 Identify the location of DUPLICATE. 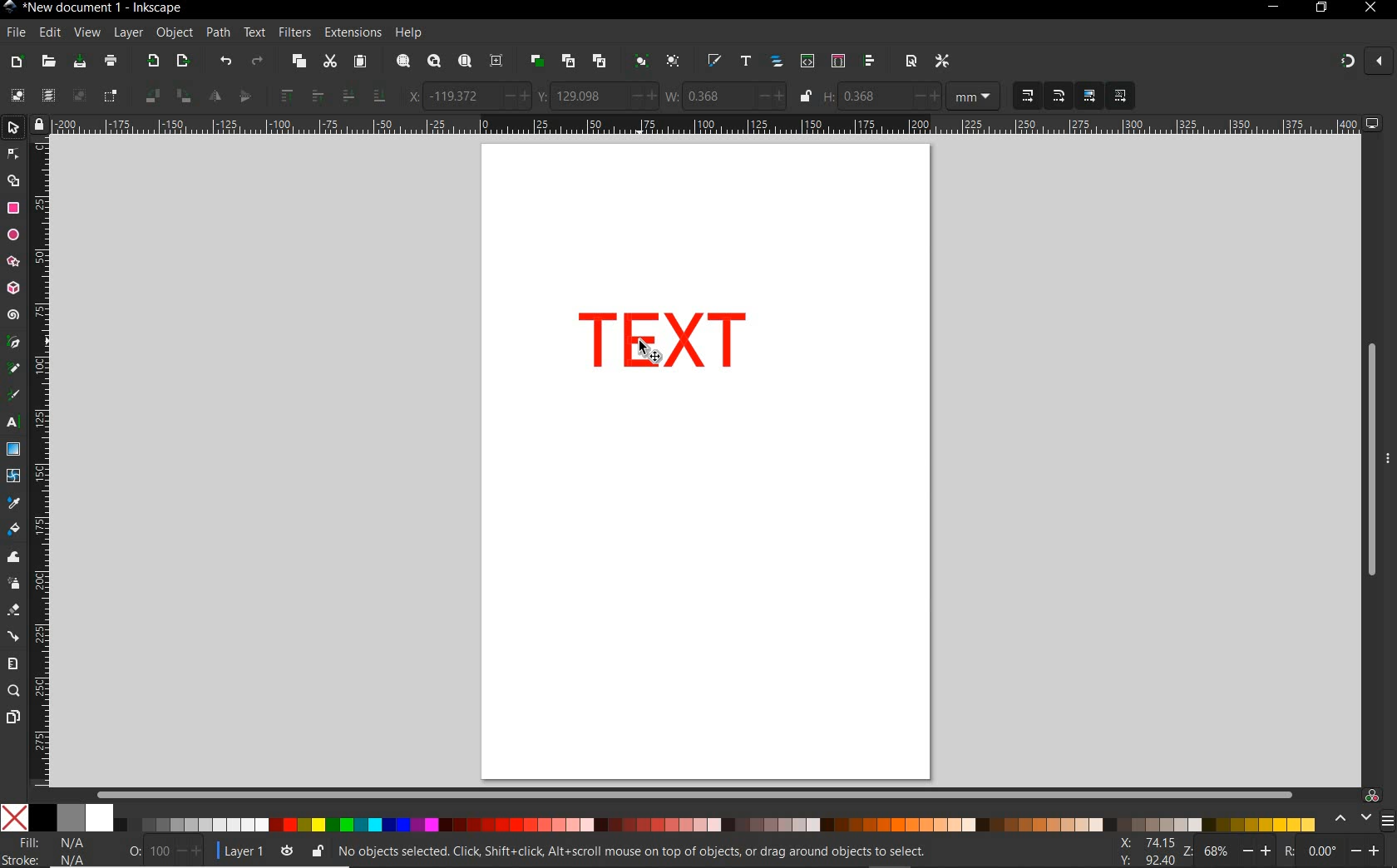
(535, 62).